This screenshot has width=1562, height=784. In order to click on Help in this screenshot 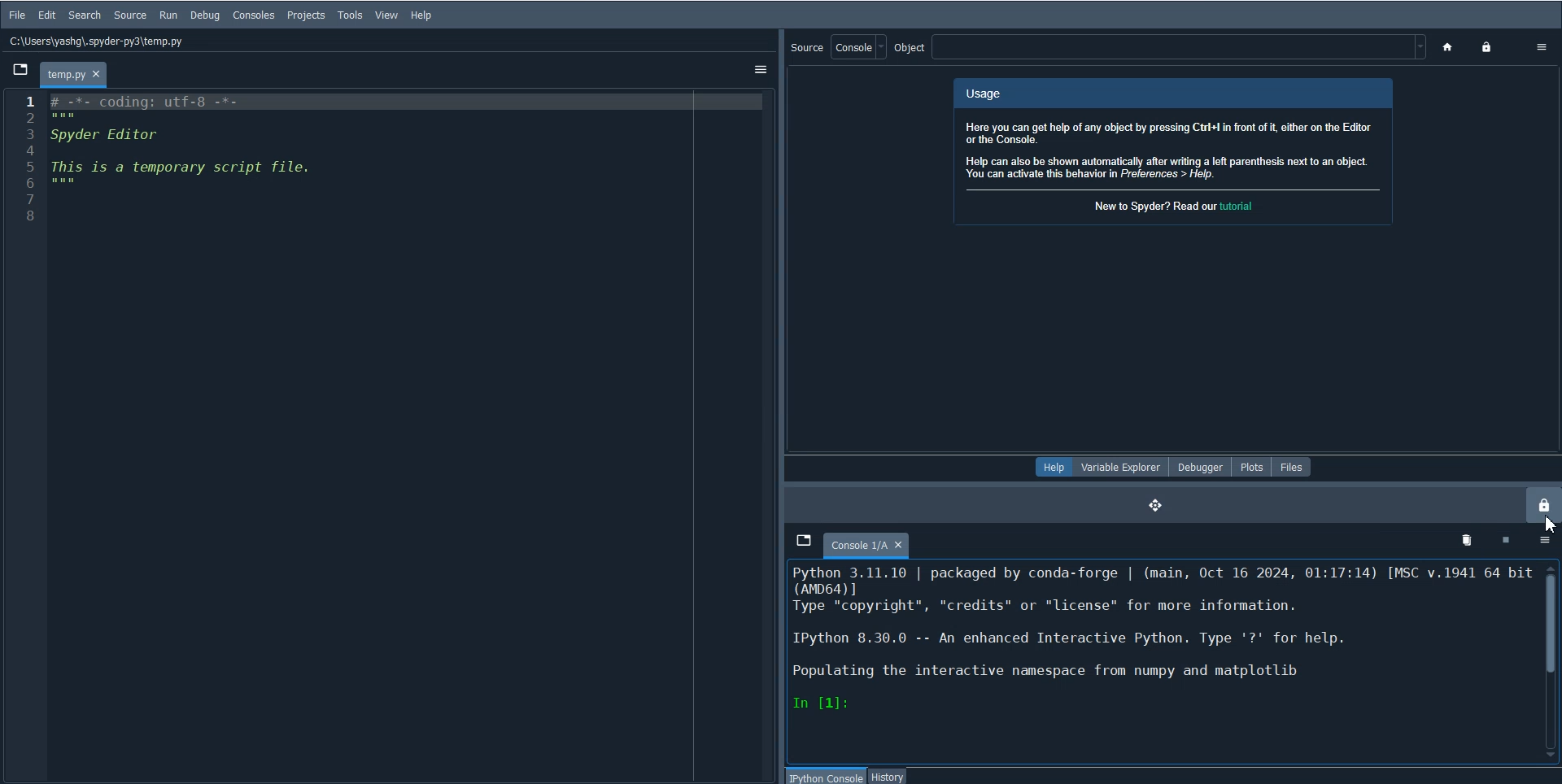, I will do `click(1053, 466)`.